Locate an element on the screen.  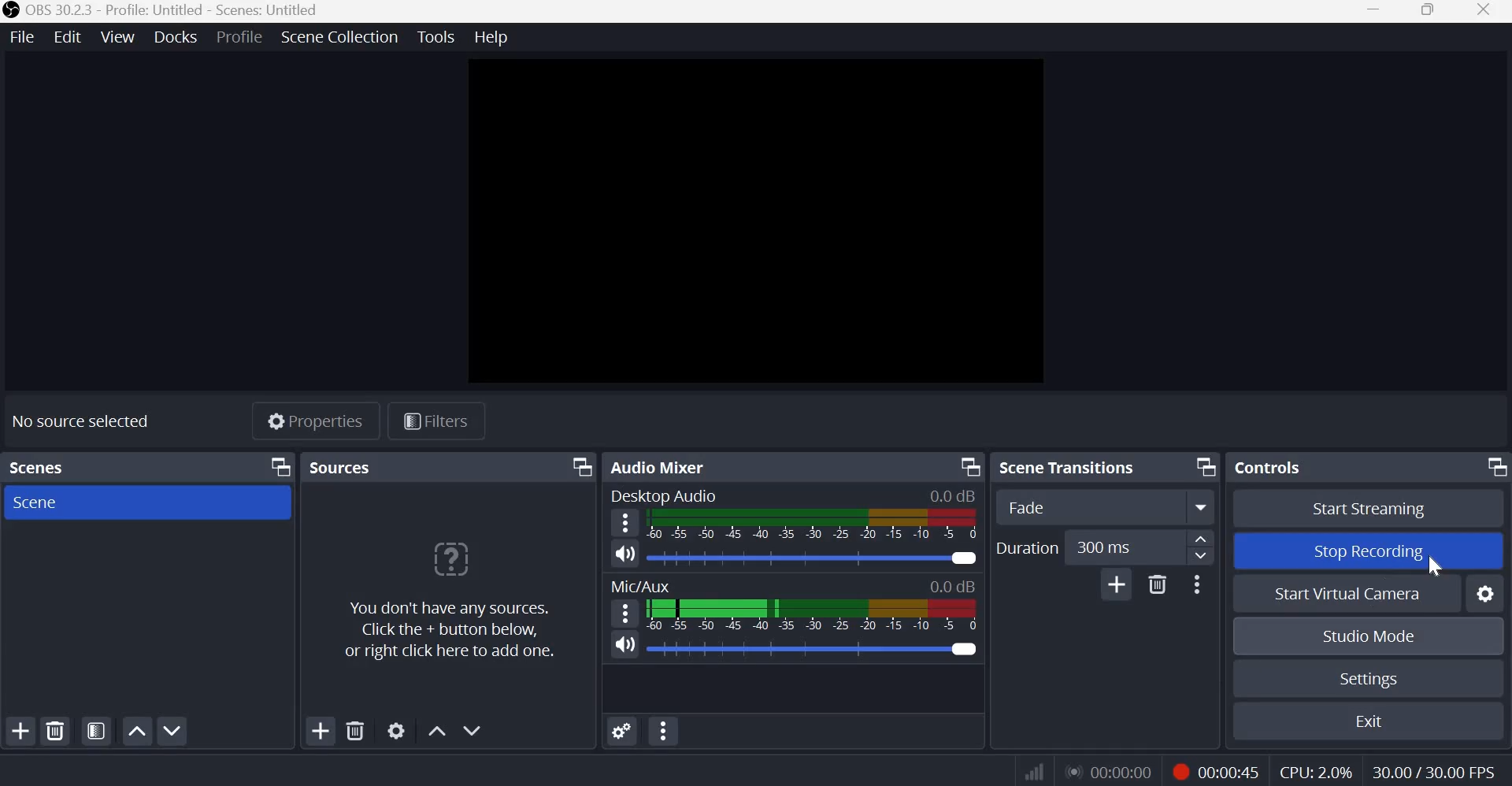
Scene collection is located at coordinates (340, 37).